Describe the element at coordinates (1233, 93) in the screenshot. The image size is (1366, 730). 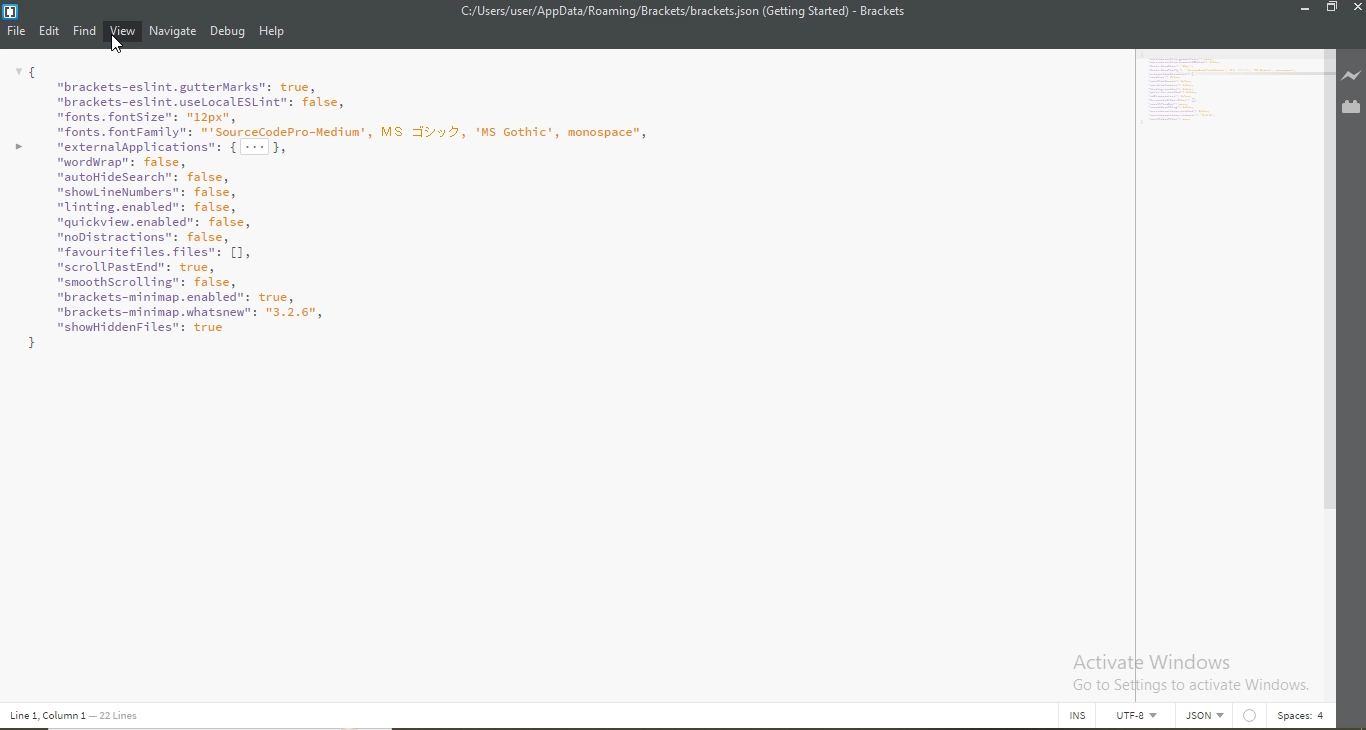
I see `minimap` at that location.